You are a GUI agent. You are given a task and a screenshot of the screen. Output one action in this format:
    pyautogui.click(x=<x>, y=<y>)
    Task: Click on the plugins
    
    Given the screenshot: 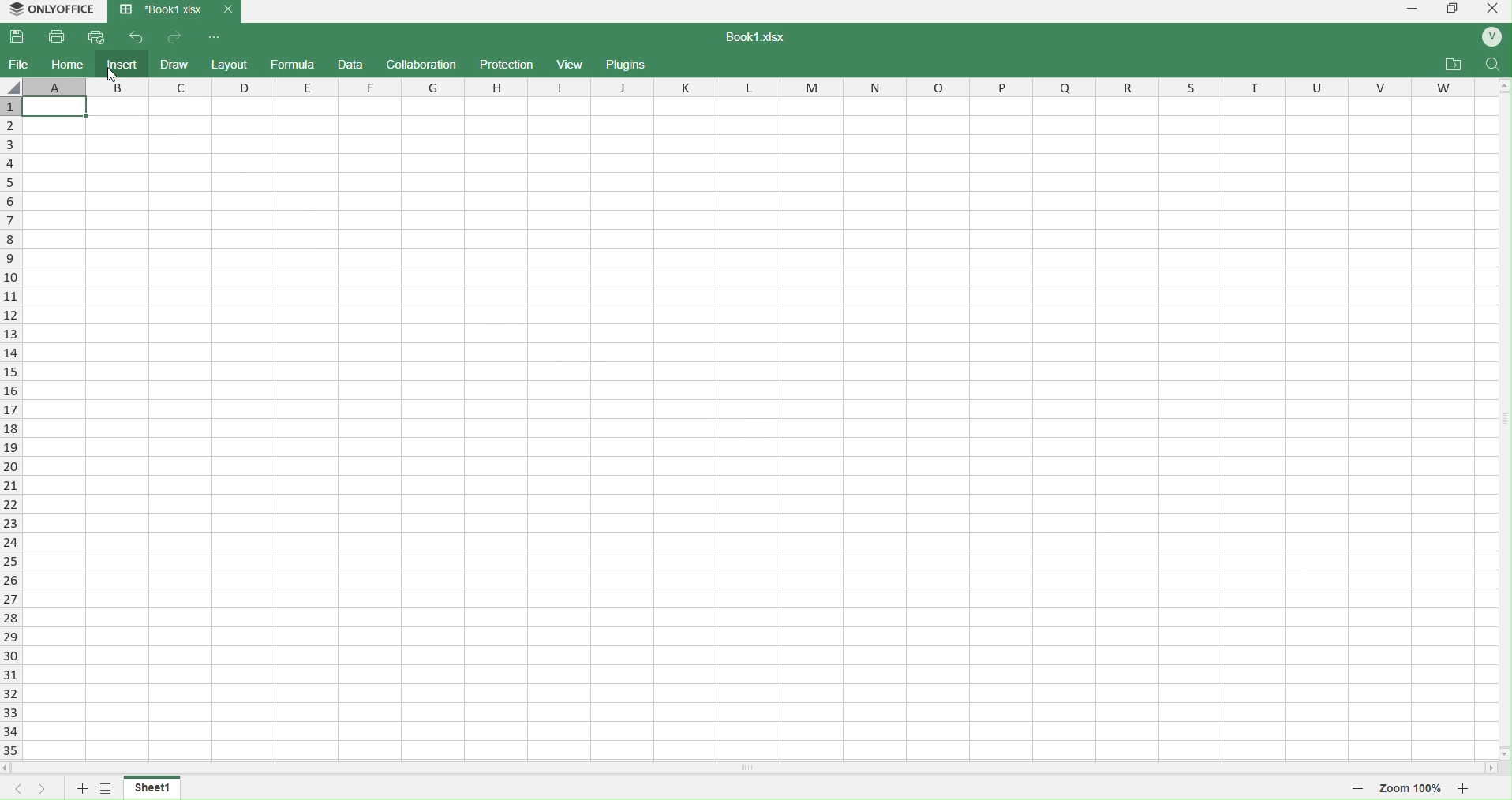 What is the action you would take?
    pyautogui.click(x=631, y=65)
    